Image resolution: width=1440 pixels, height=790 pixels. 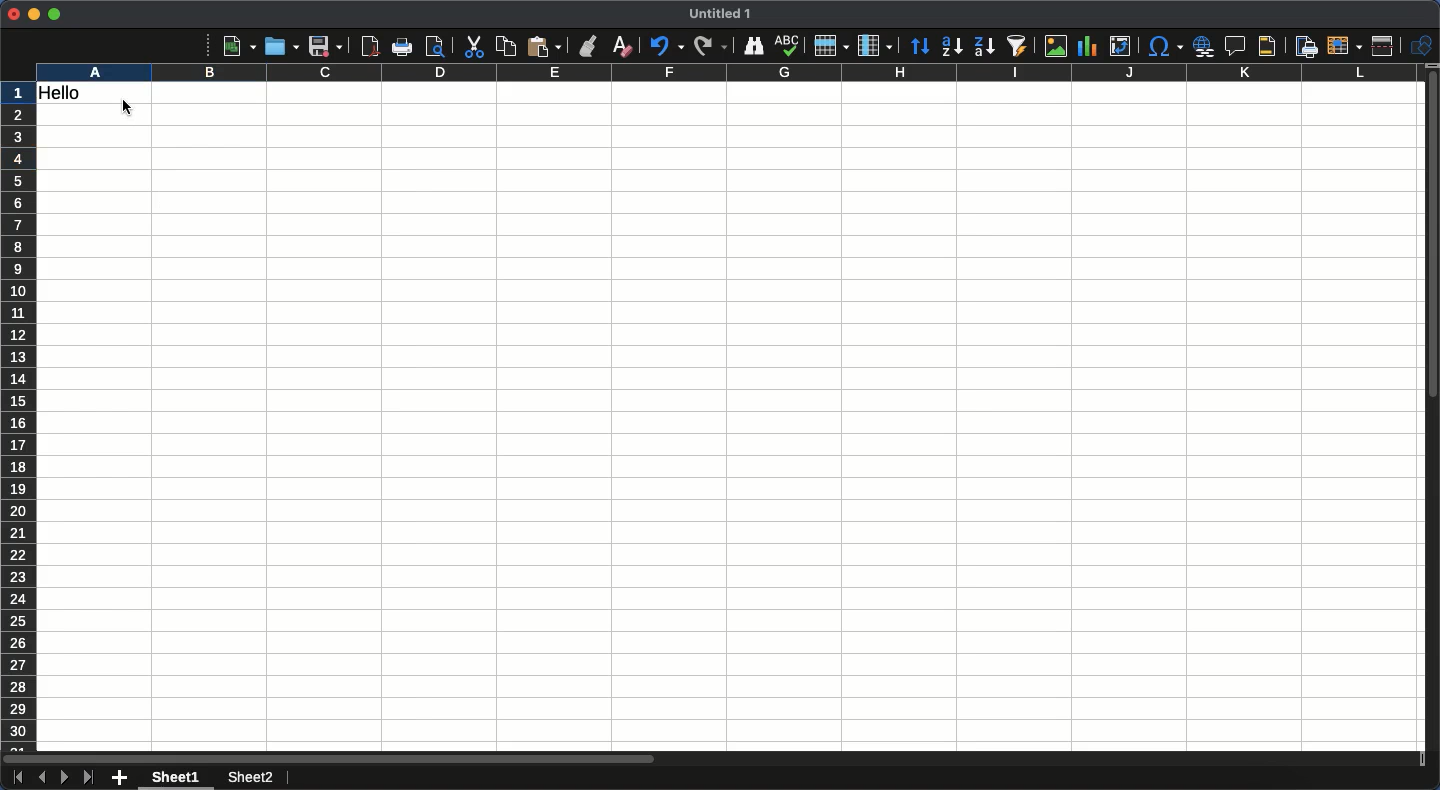 What do you see at coordinates (1205, 46) in the screenshot?
I see `Hyperlink` at bounding box center [1205, 46].